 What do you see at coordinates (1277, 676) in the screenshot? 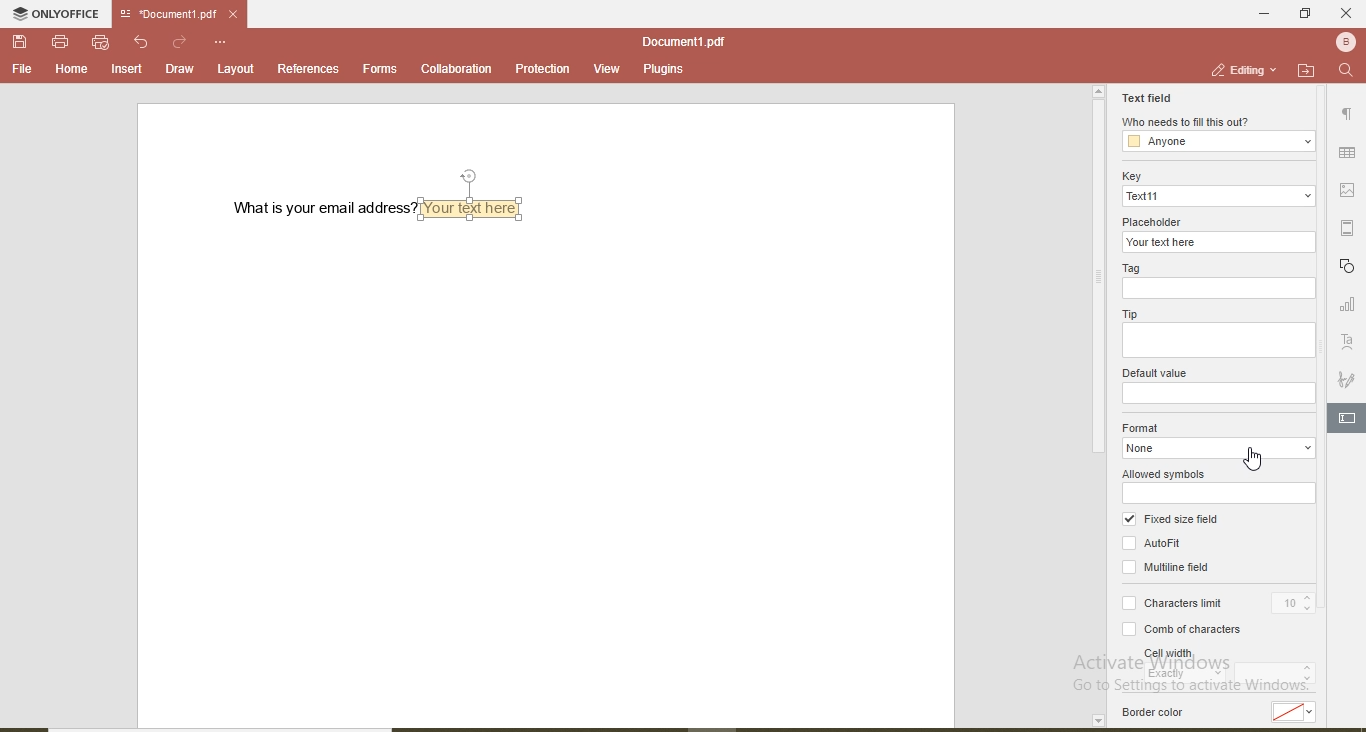
I see `input cell width` at bounding box center [1277, 676].